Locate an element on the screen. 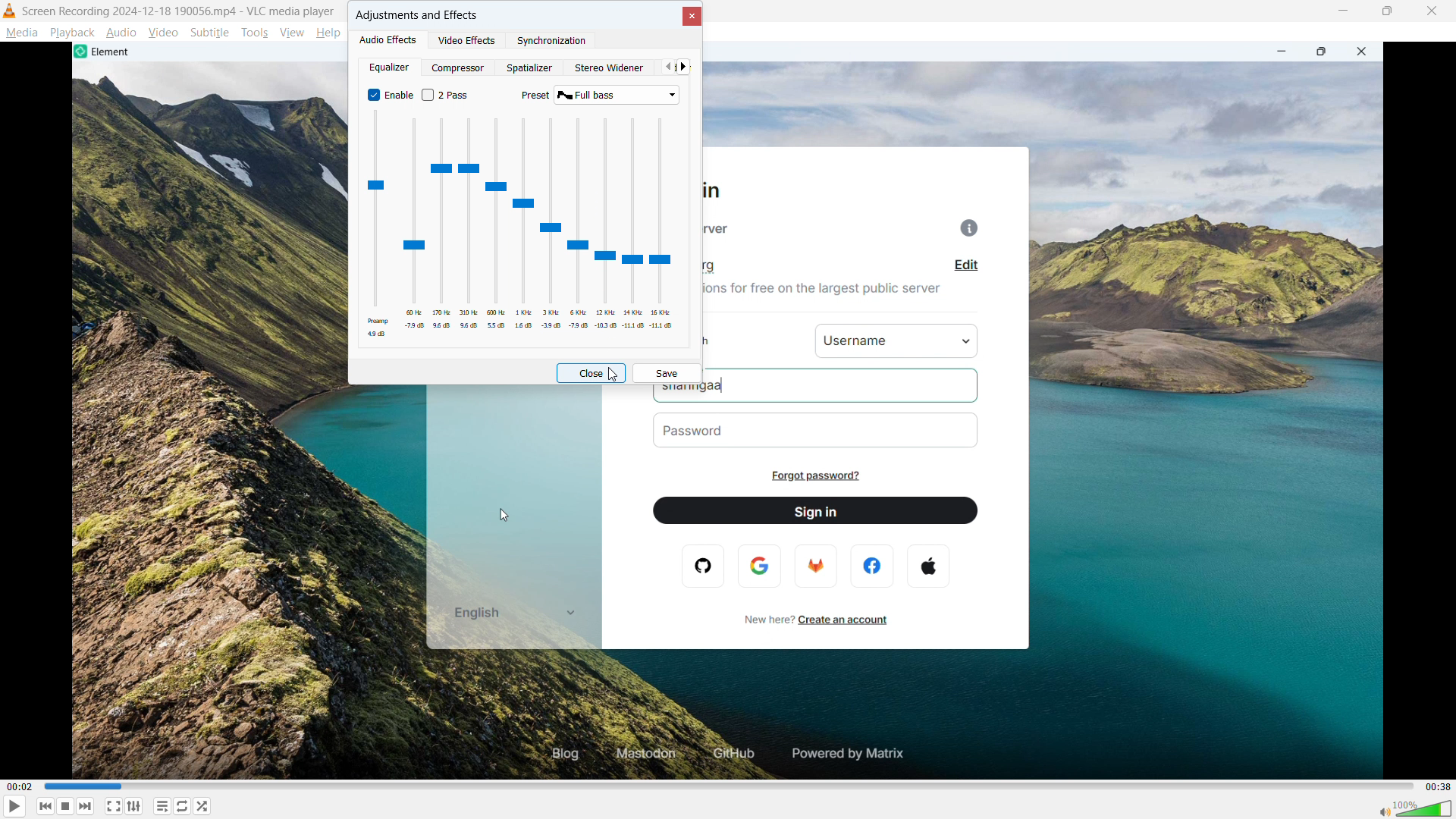 Image resolution: width=1456 pixels, height=819 pixels. play  is located at coordinates (26, 806).